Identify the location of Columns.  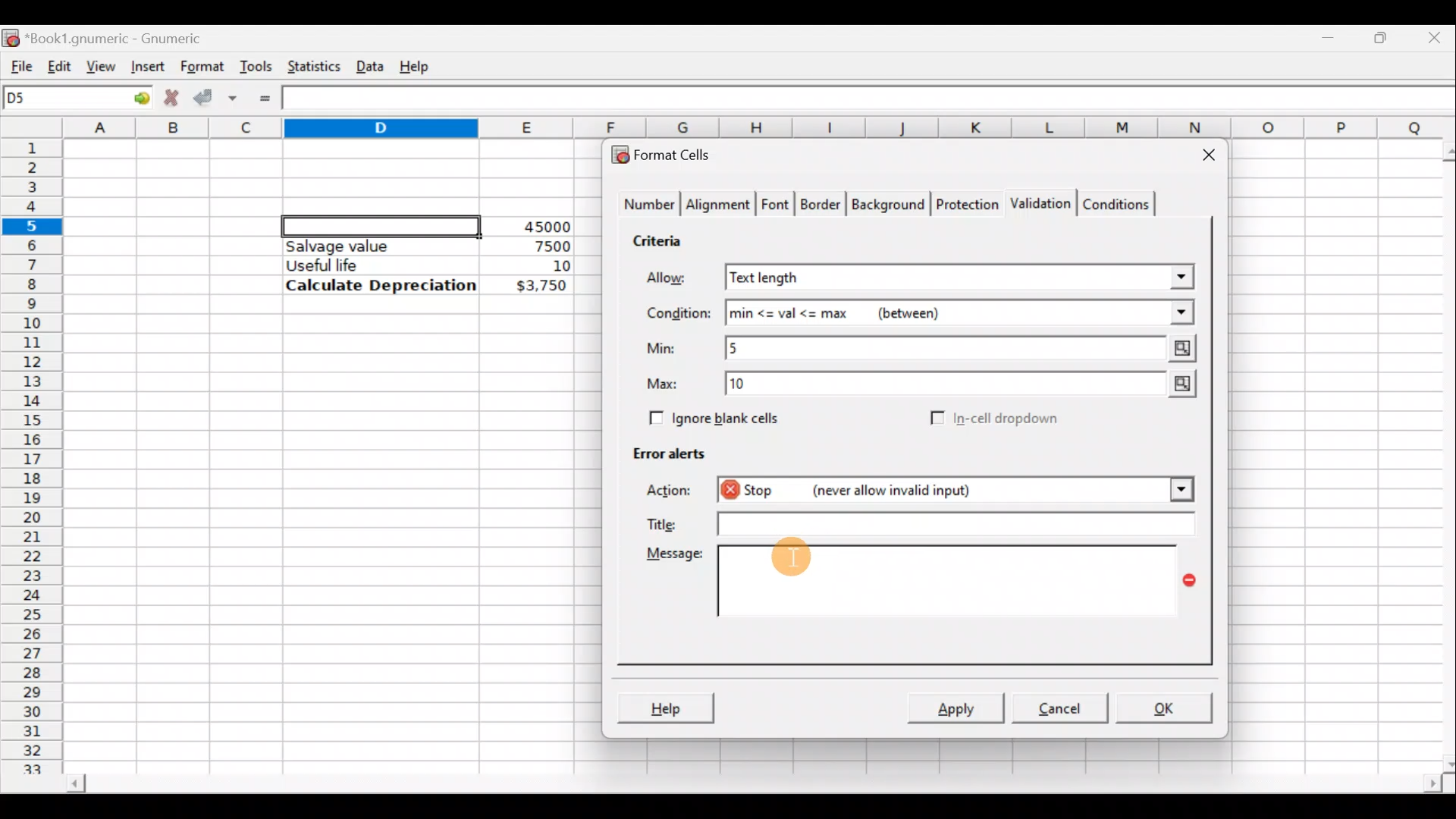
(761, 128).